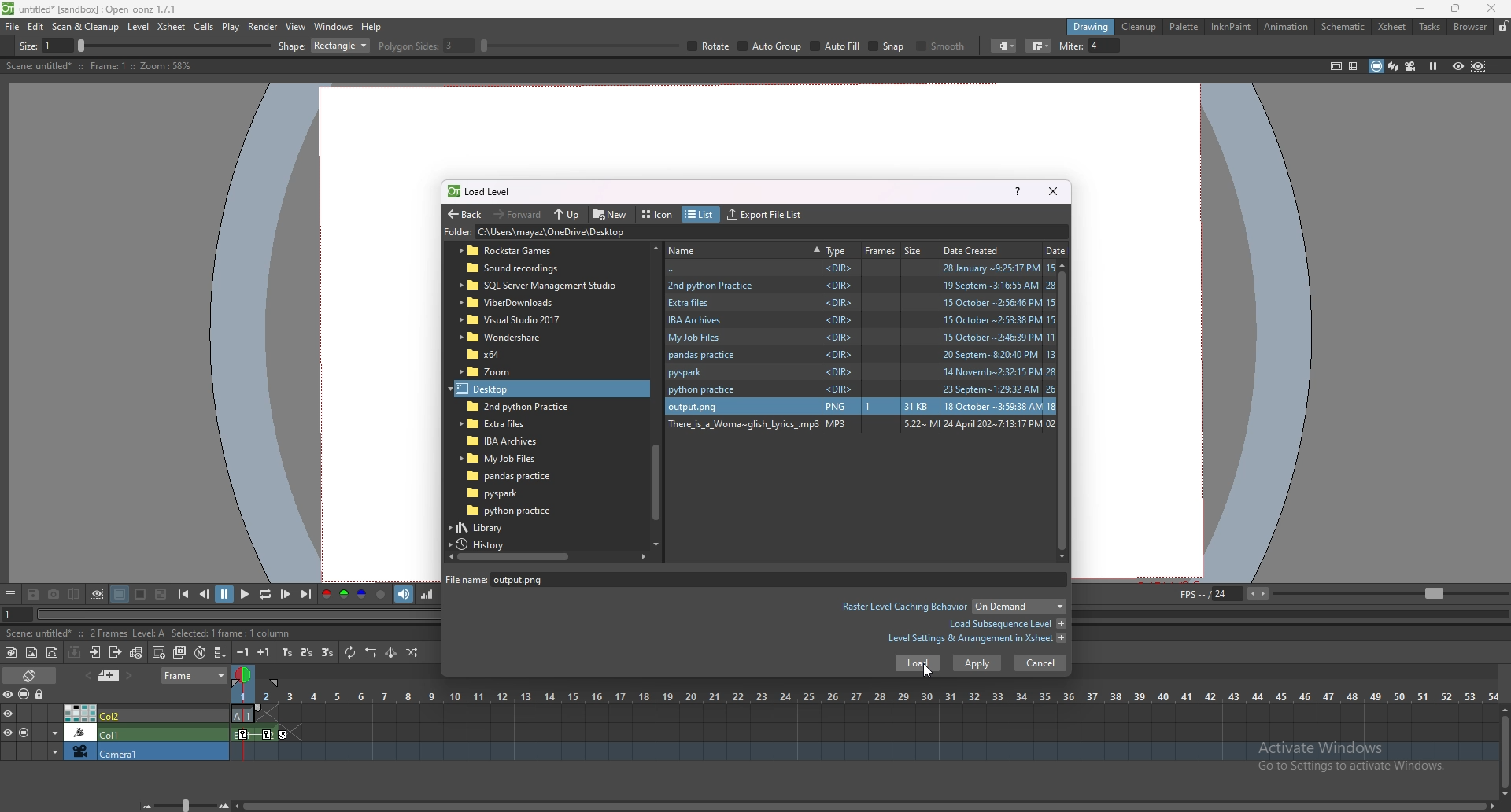  I want to click on close x subsheet, so click(114, 652).